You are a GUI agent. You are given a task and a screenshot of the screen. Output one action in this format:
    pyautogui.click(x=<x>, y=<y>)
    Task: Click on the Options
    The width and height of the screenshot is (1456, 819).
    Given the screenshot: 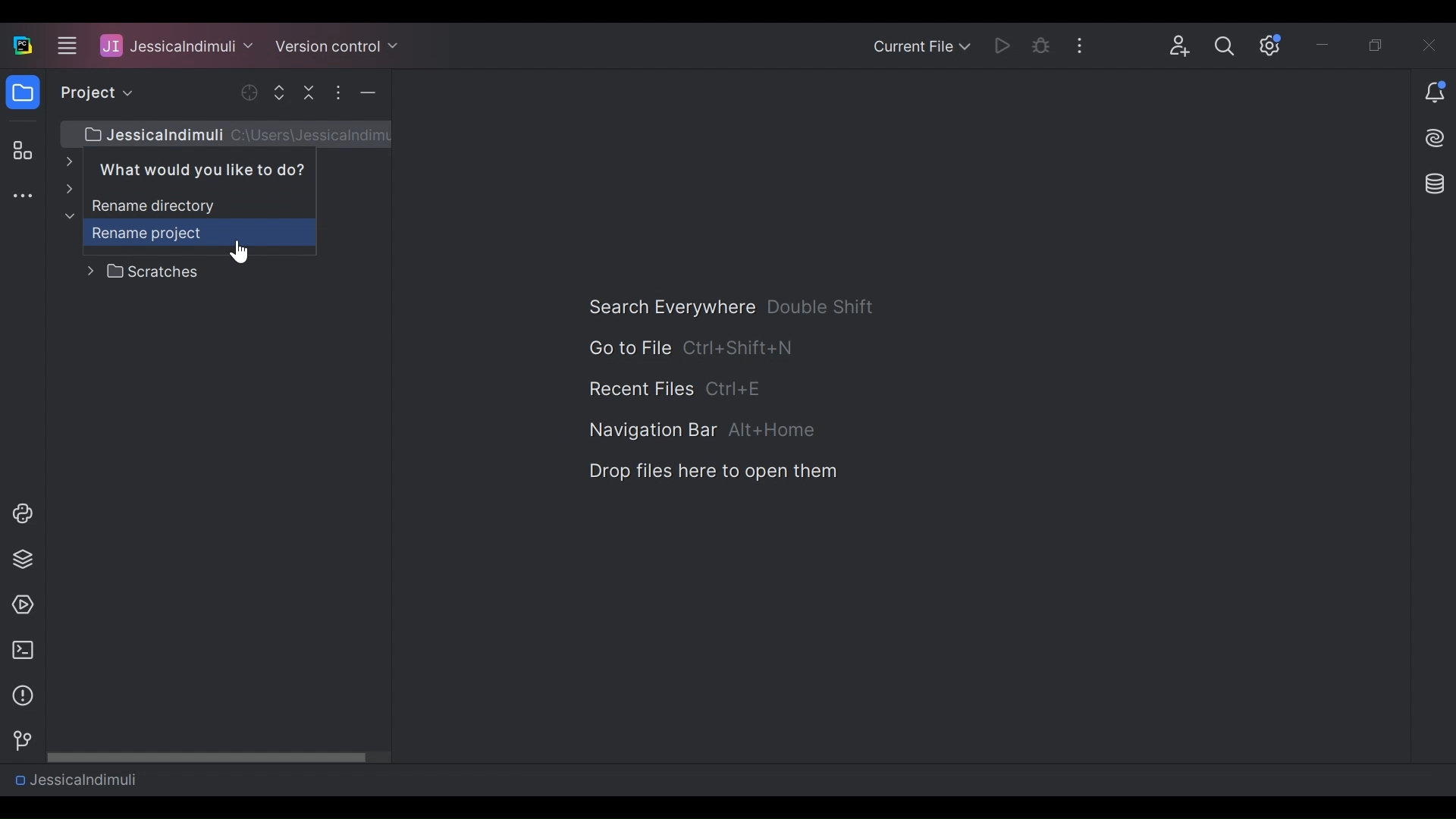 What is the action you would take?
    pyautogui.click(x=337, y=93)
    